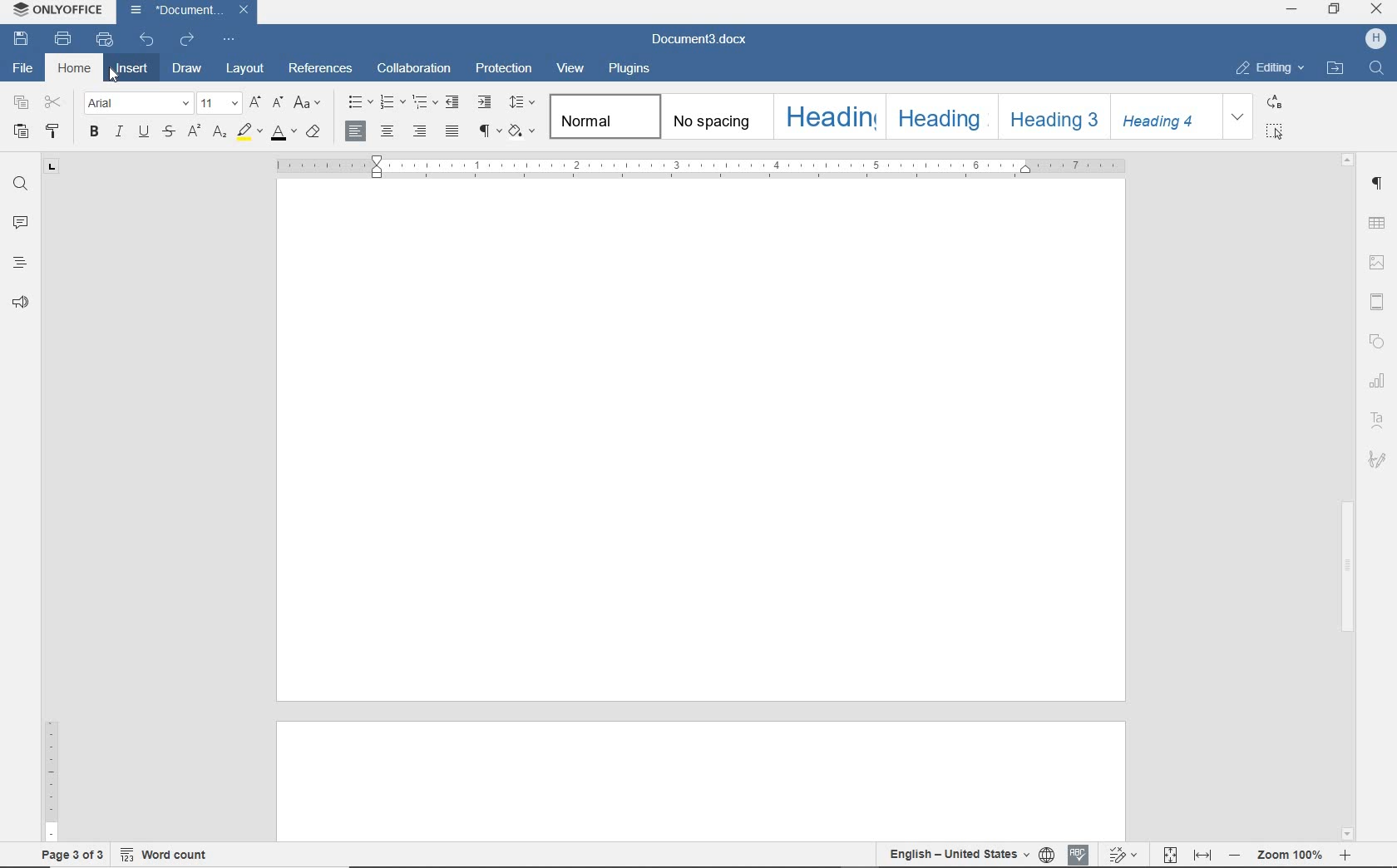 This screenshot has height=868, width=1397. Describe the element at coordinates (51, 520) in the screenshot. I see `RULER` at that location.